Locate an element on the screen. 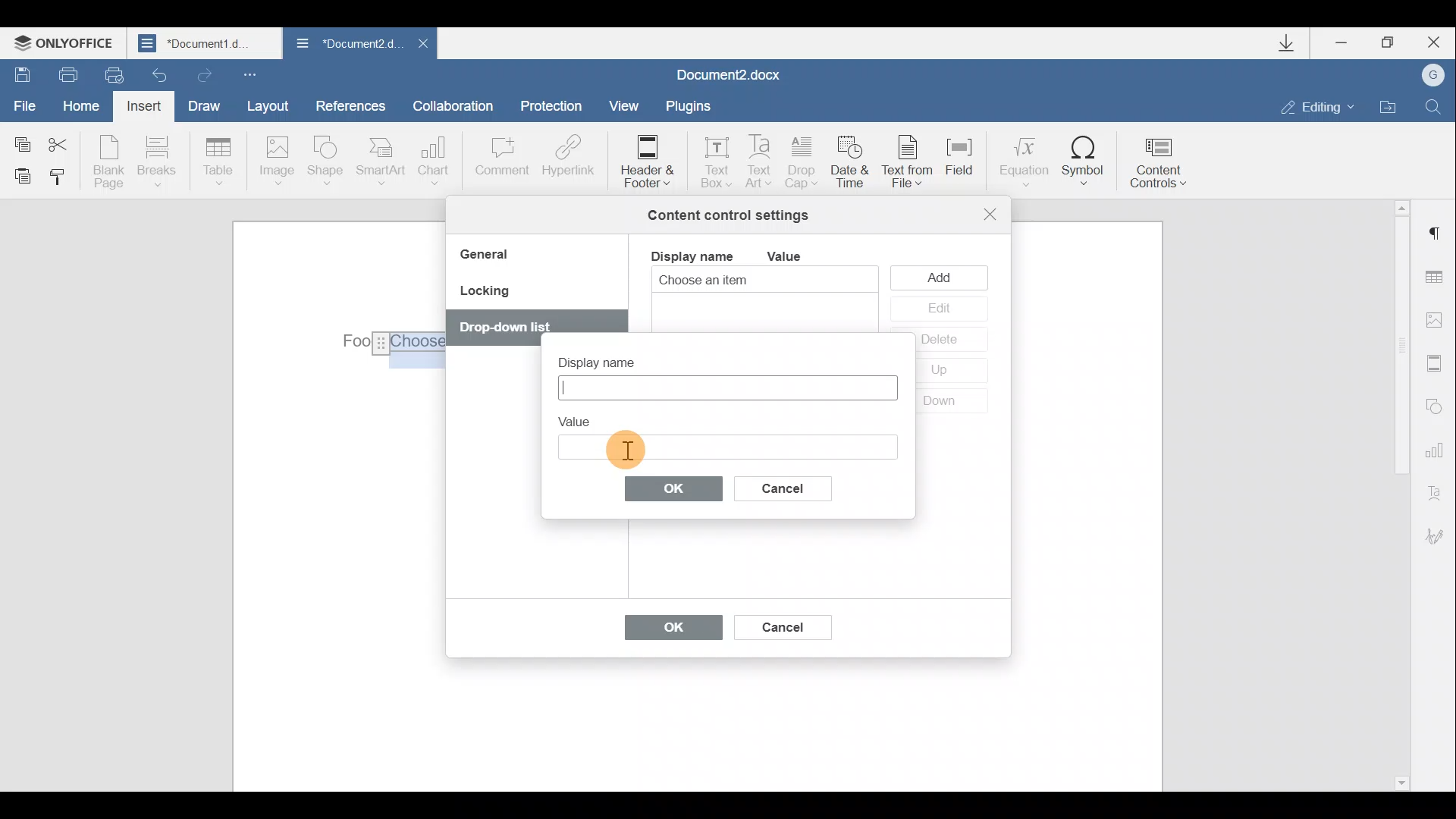 This screenshot has height=819, width=1456. Chart is located at coordinates (437, 161).